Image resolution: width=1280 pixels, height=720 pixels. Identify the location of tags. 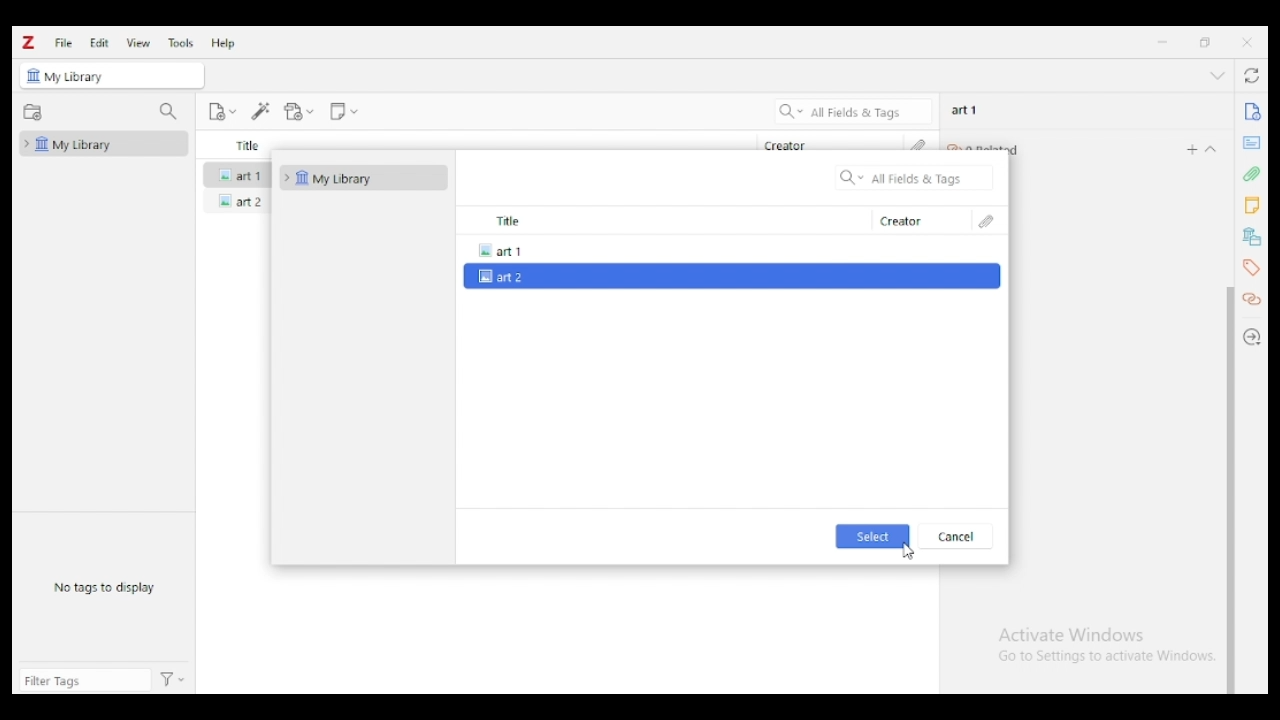
(1250, 267).